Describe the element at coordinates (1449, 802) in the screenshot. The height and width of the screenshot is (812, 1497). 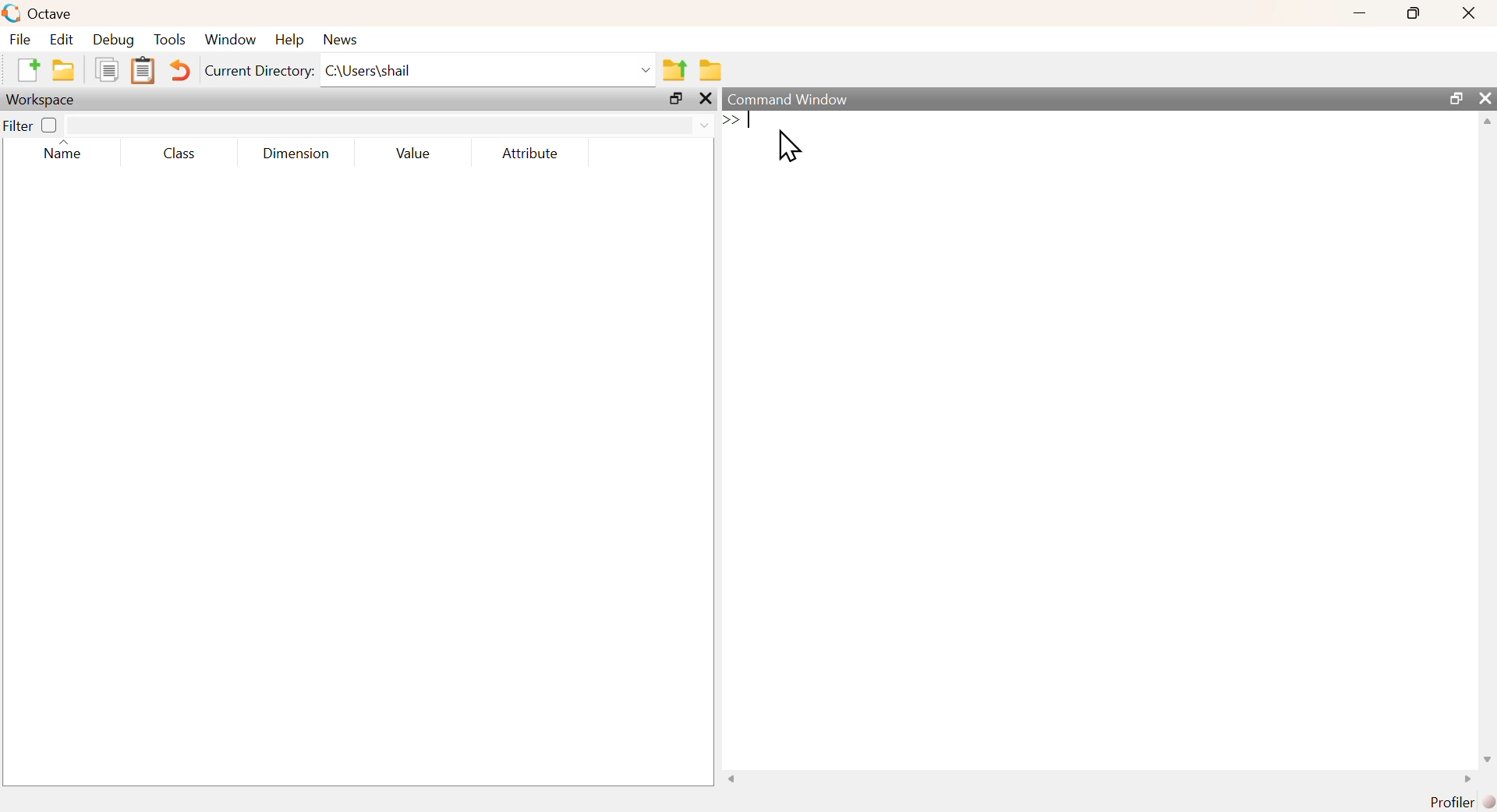
I see `Profiler` at that location.